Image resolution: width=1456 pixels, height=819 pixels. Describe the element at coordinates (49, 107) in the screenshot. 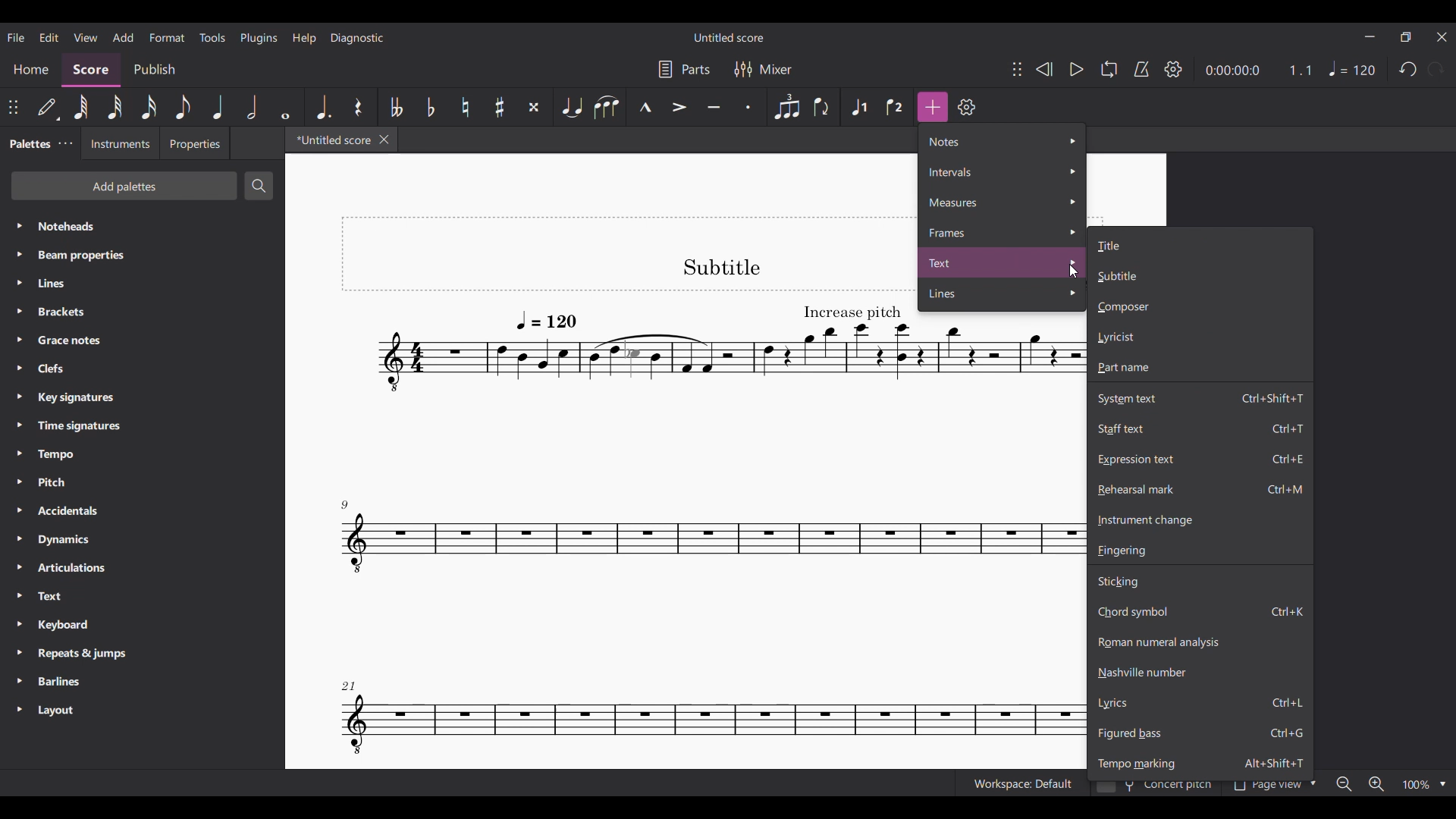

I see `Default` at that location.